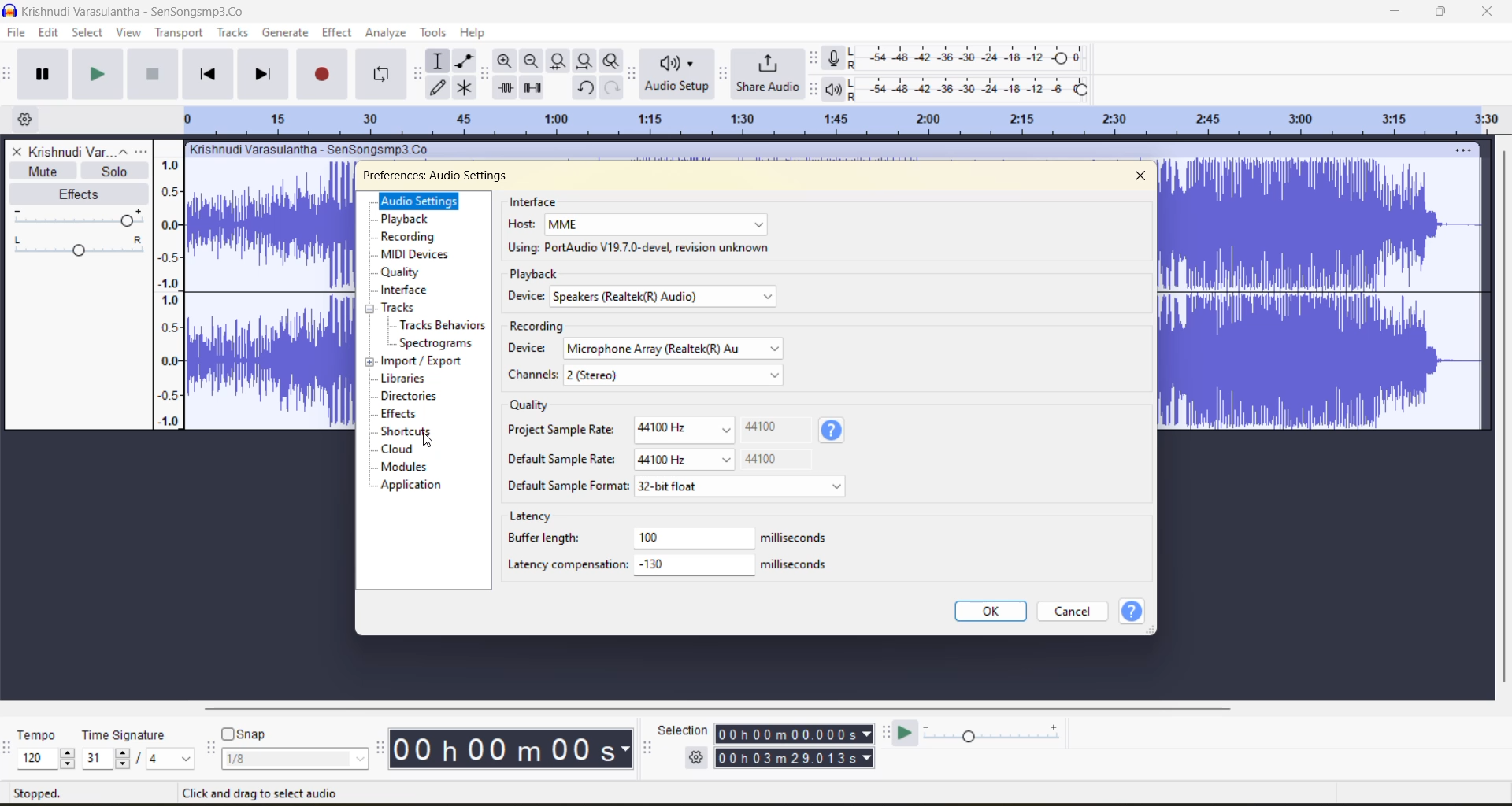  Describe the element at coordinates (262, 72) in the screenshot. I see `skip to end` at that location.